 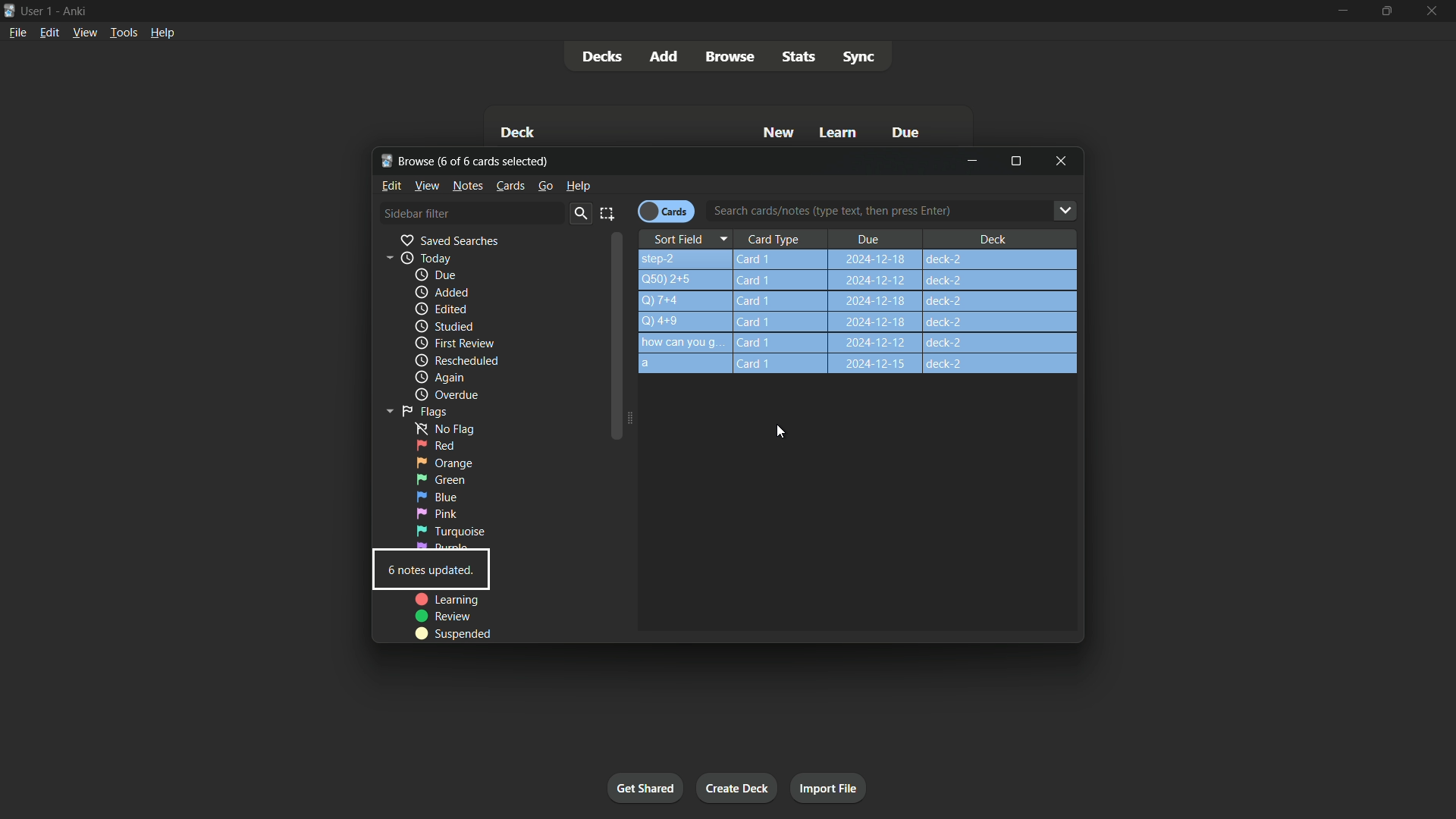 I want to click on Purple, so click(x=449, y=547).